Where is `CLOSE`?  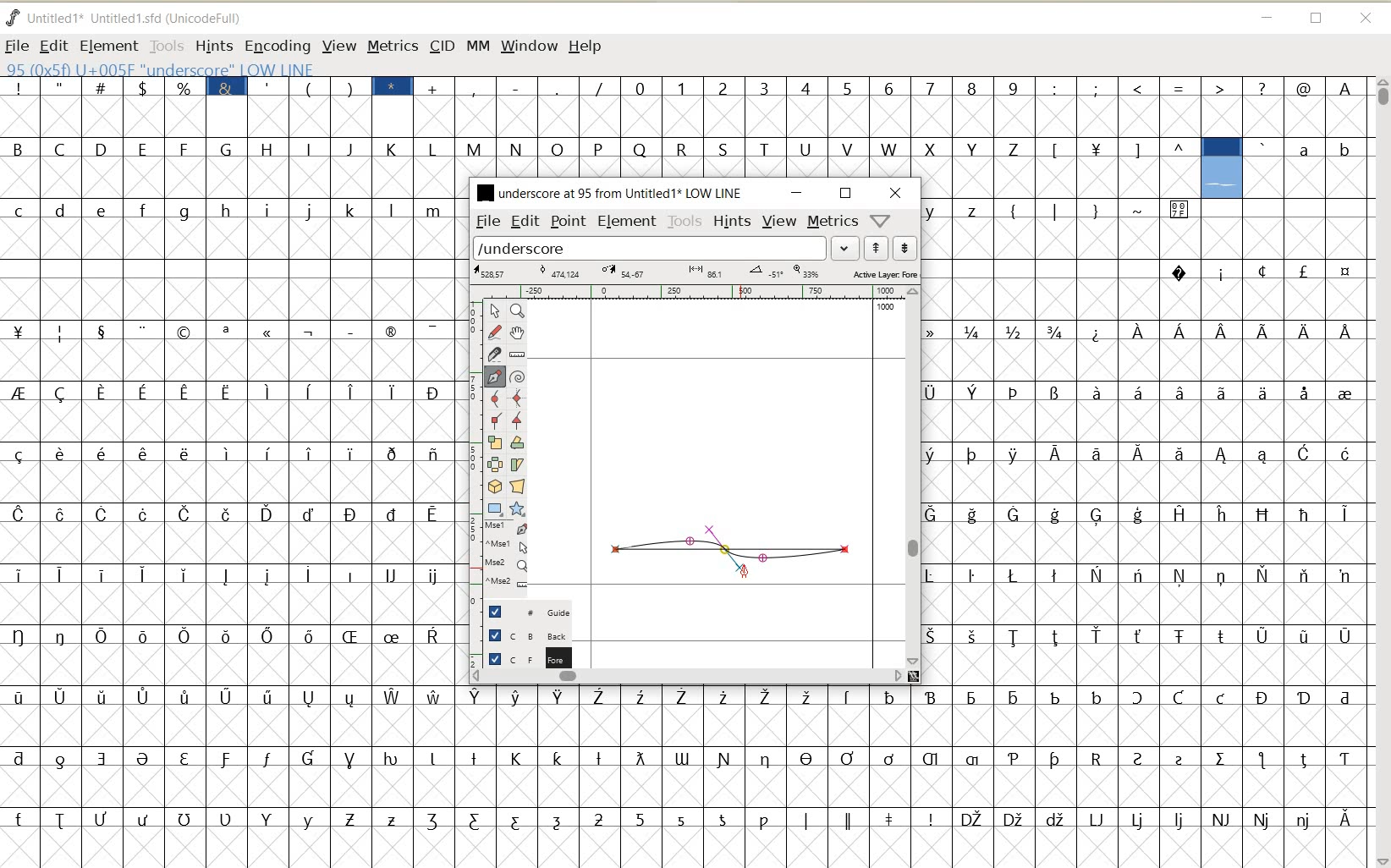 CLOSE is located at coordinates (896, 193).